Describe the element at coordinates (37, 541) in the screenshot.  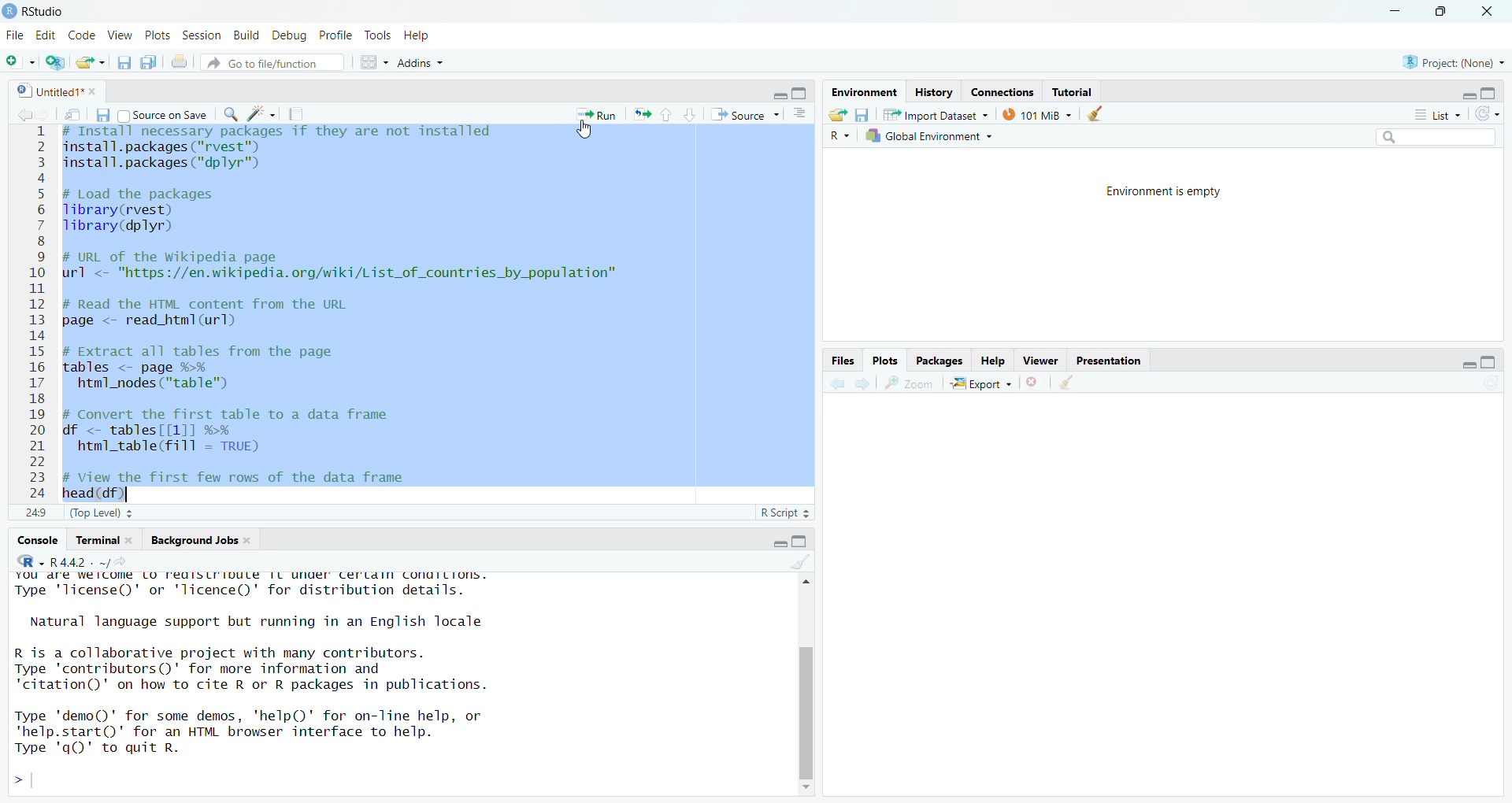
I see `Console` at that location.